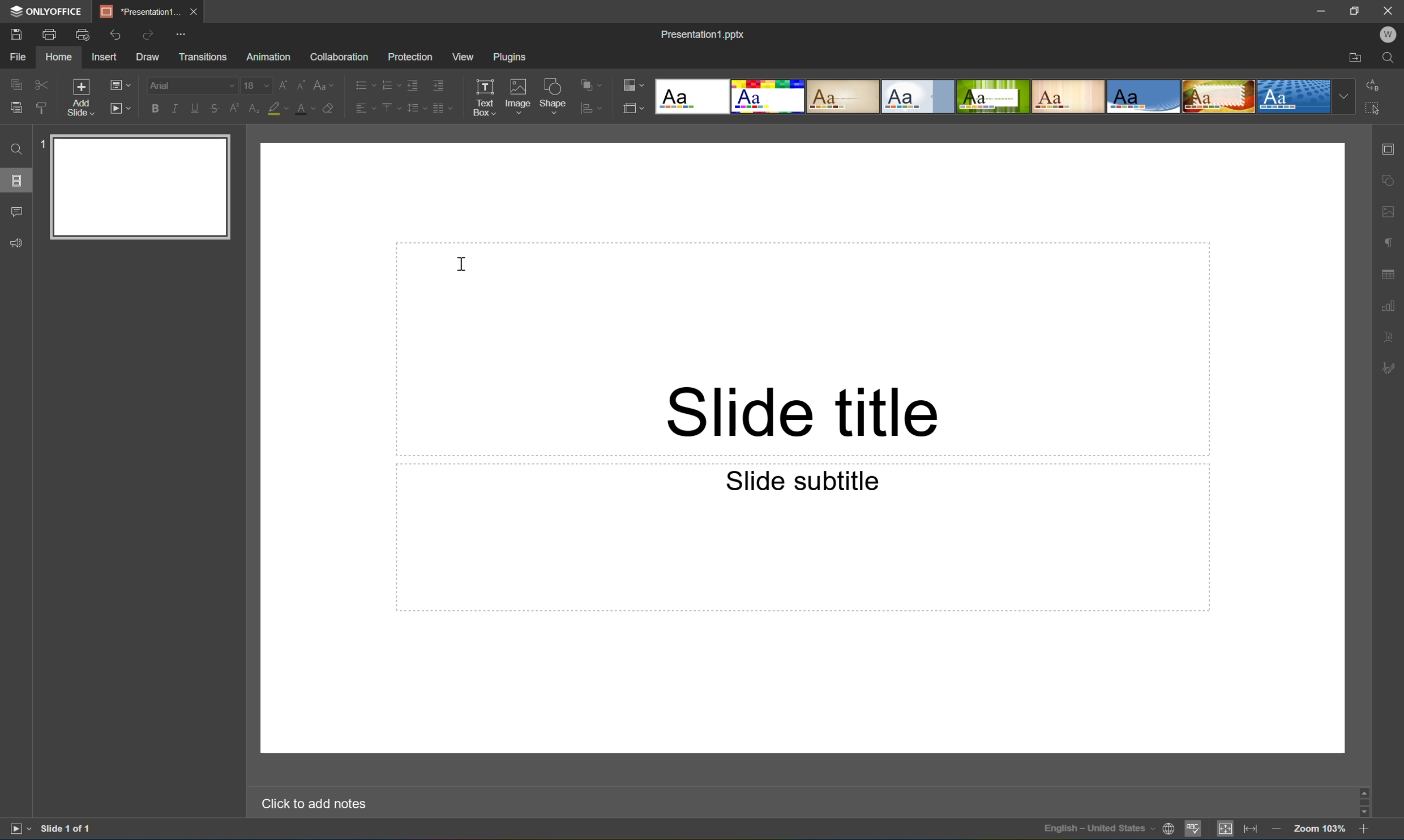 Image resolution: width=1404 pixels, height=840 pixels. I want to click on Home, so click(61, 57).